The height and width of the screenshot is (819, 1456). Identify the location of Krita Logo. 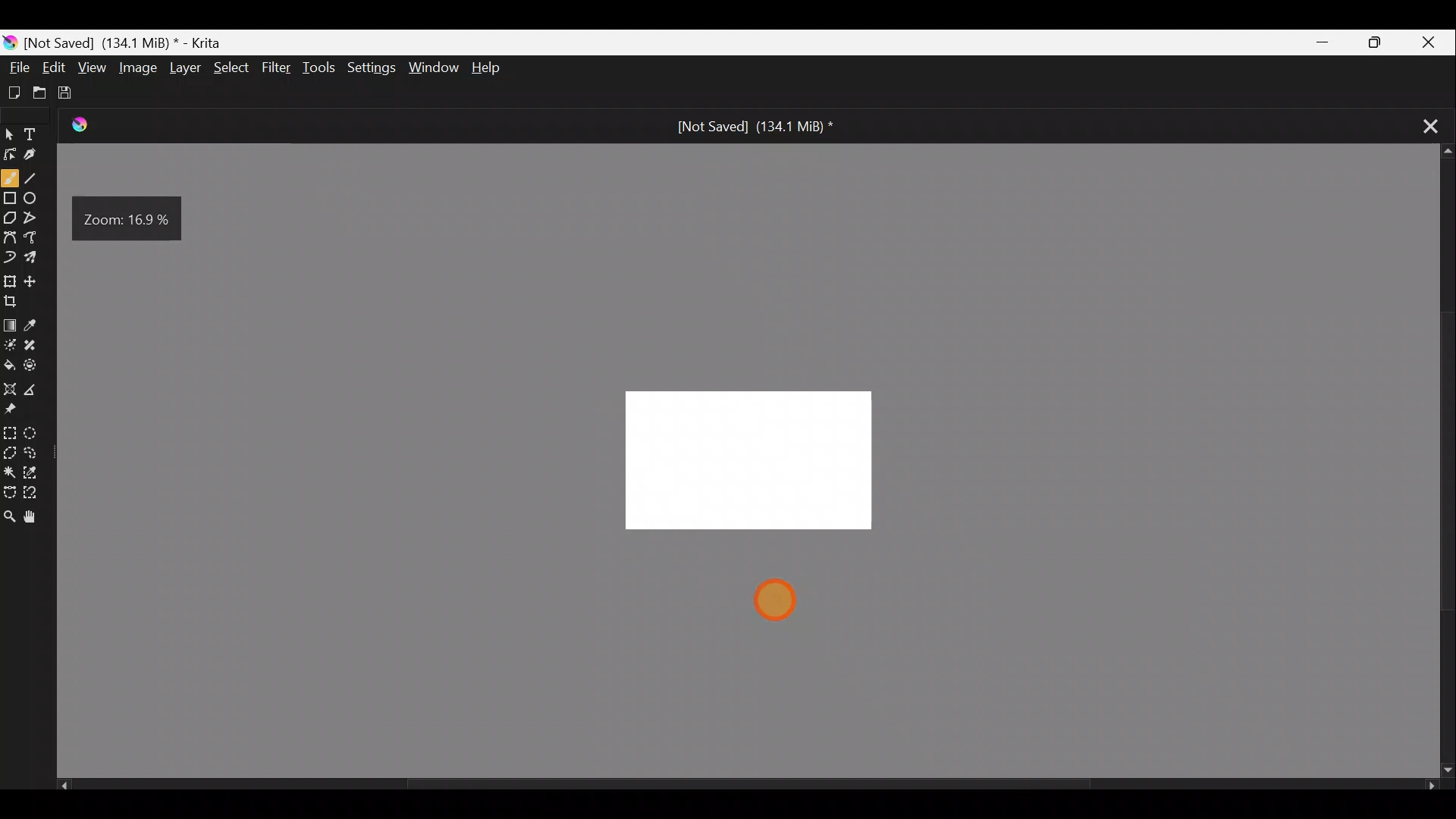
(11, 39).